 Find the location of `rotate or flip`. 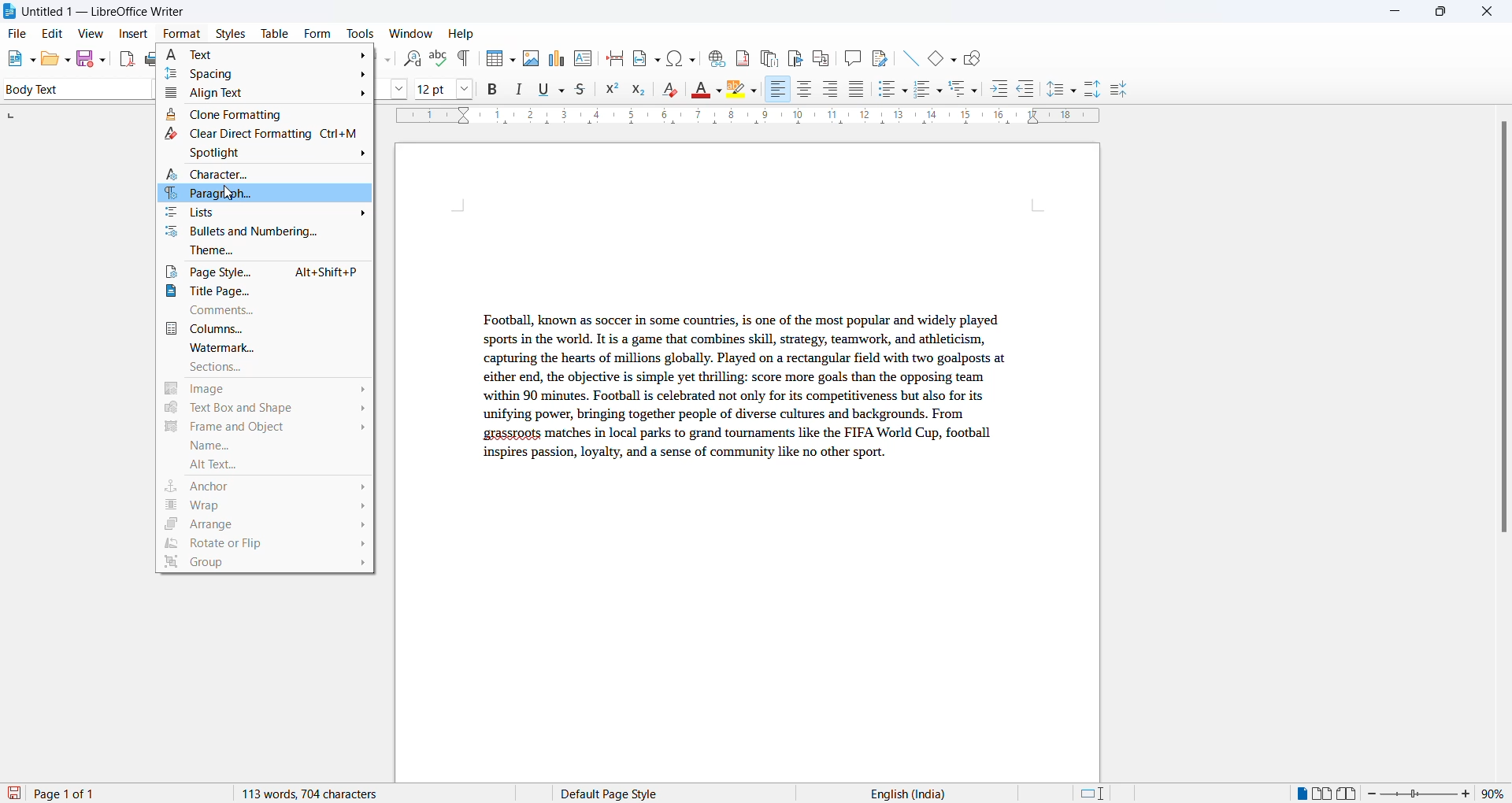

rotate or flip is located at coordinates (265, 545).